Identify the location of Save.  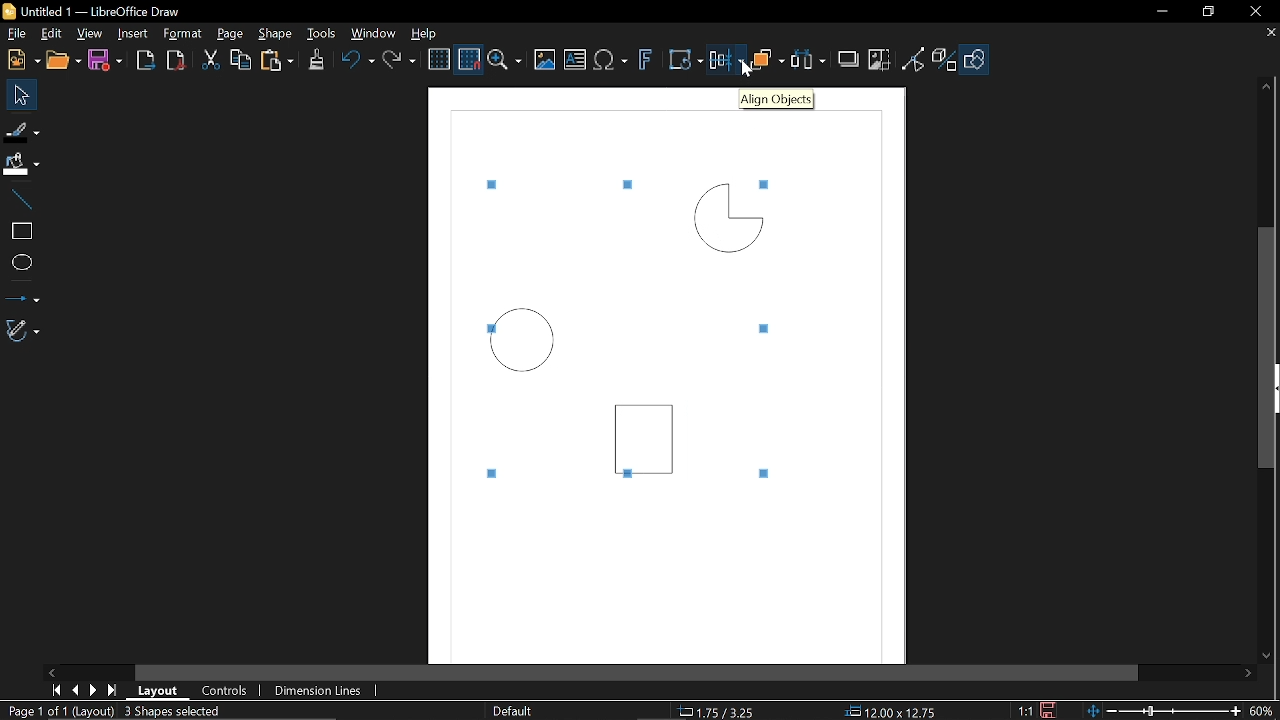
(1045, 710).